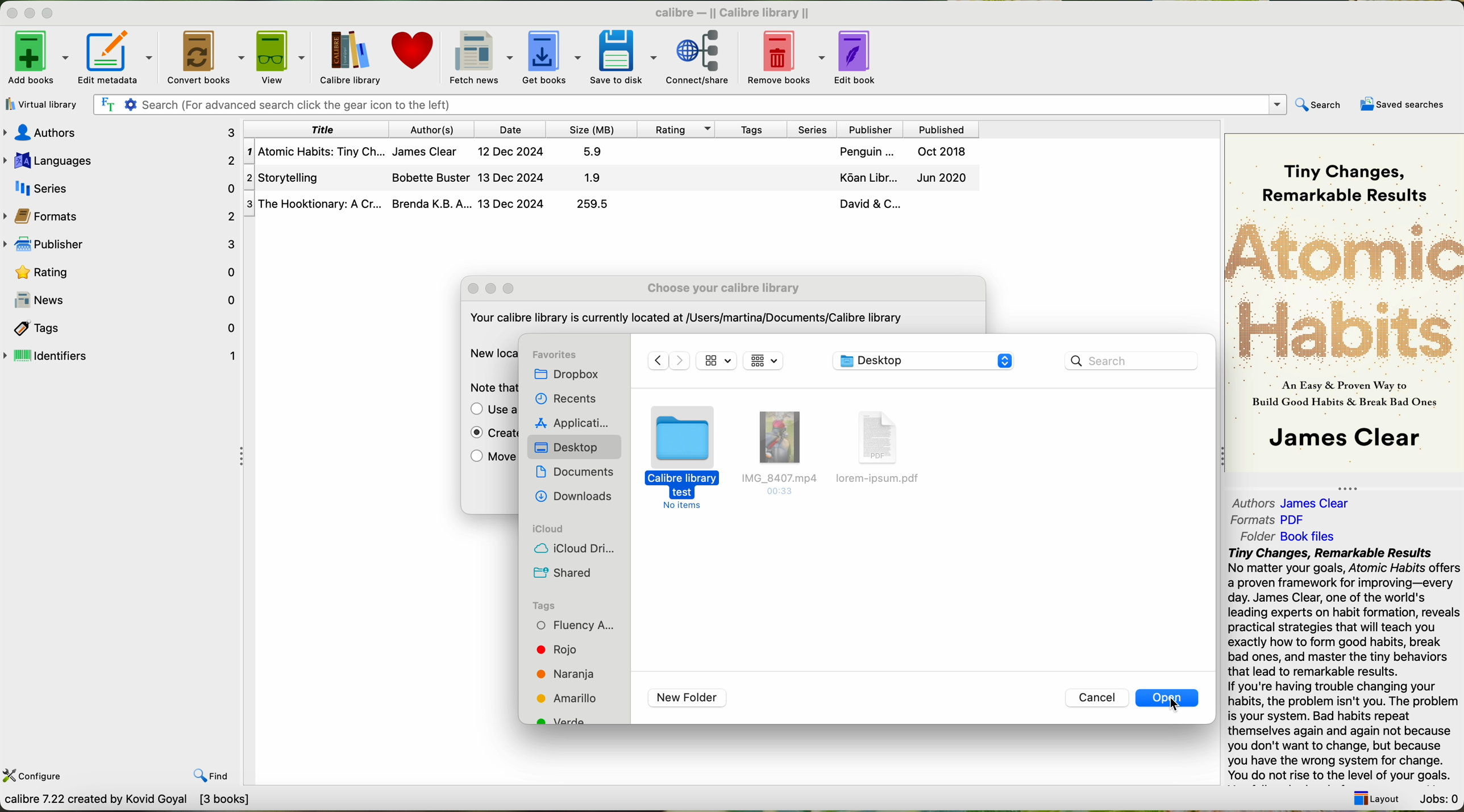  Describe the element at coordinates (123, 245) in the screenshot. I see `publisher` at that location.